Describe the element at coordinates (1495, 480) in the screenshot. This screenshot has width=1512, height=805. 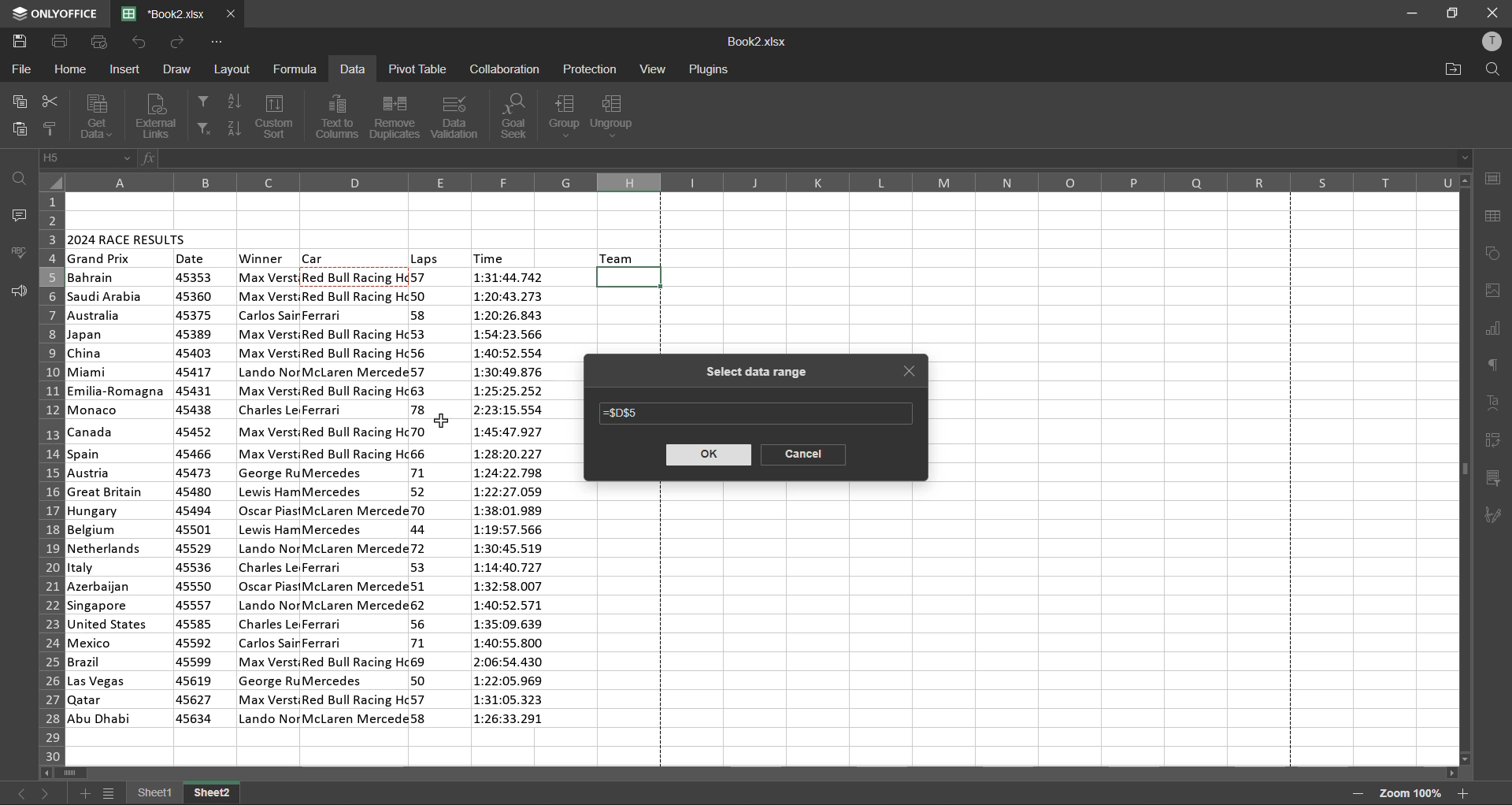
I see `slicer` at that location.